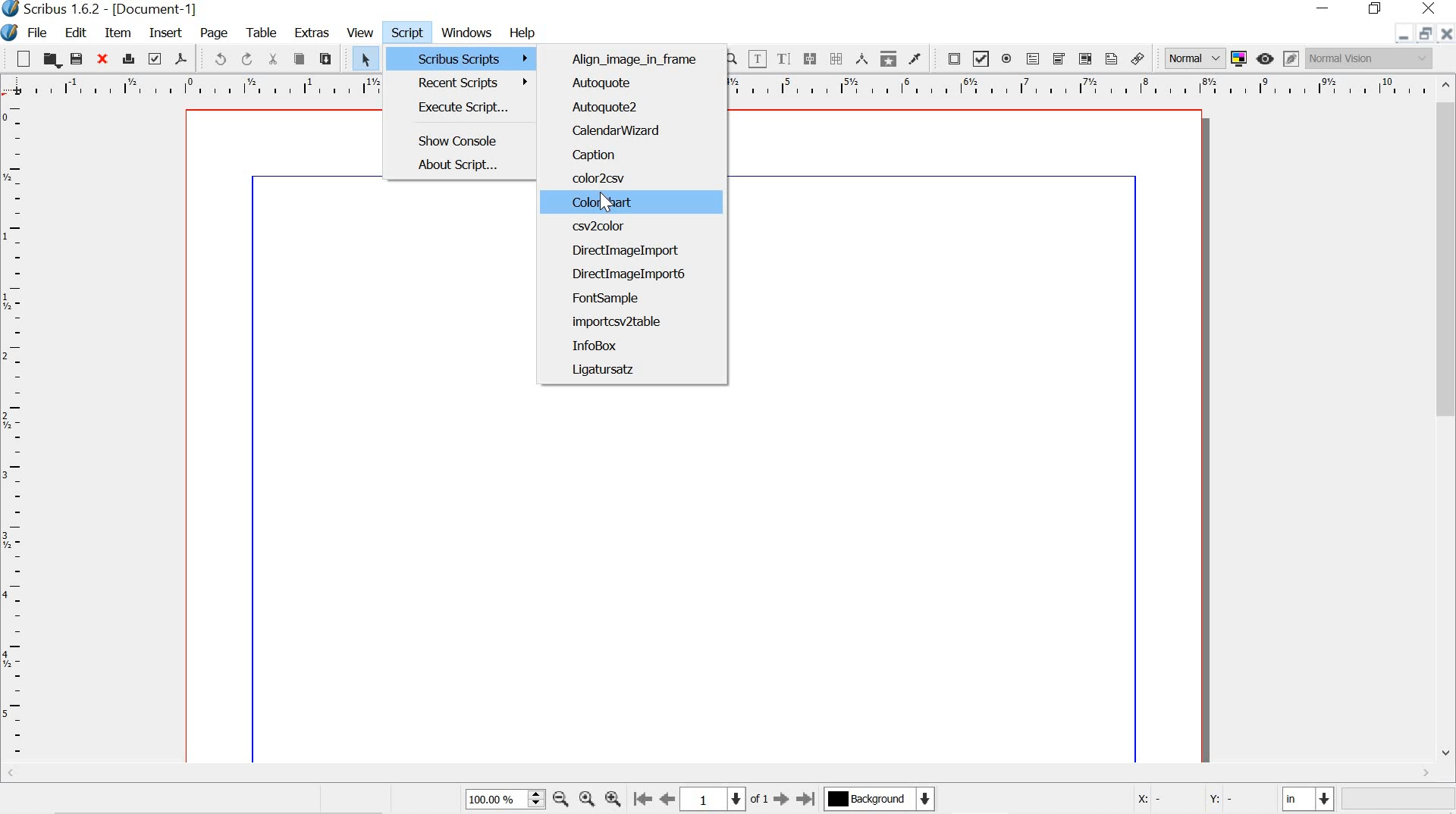 Image resolution: width=1456 pixels, height=814 pixels. What do you see at coordinates (472, 109) in the screenshot?
I see `execute script` at bounding box center [472, 109].